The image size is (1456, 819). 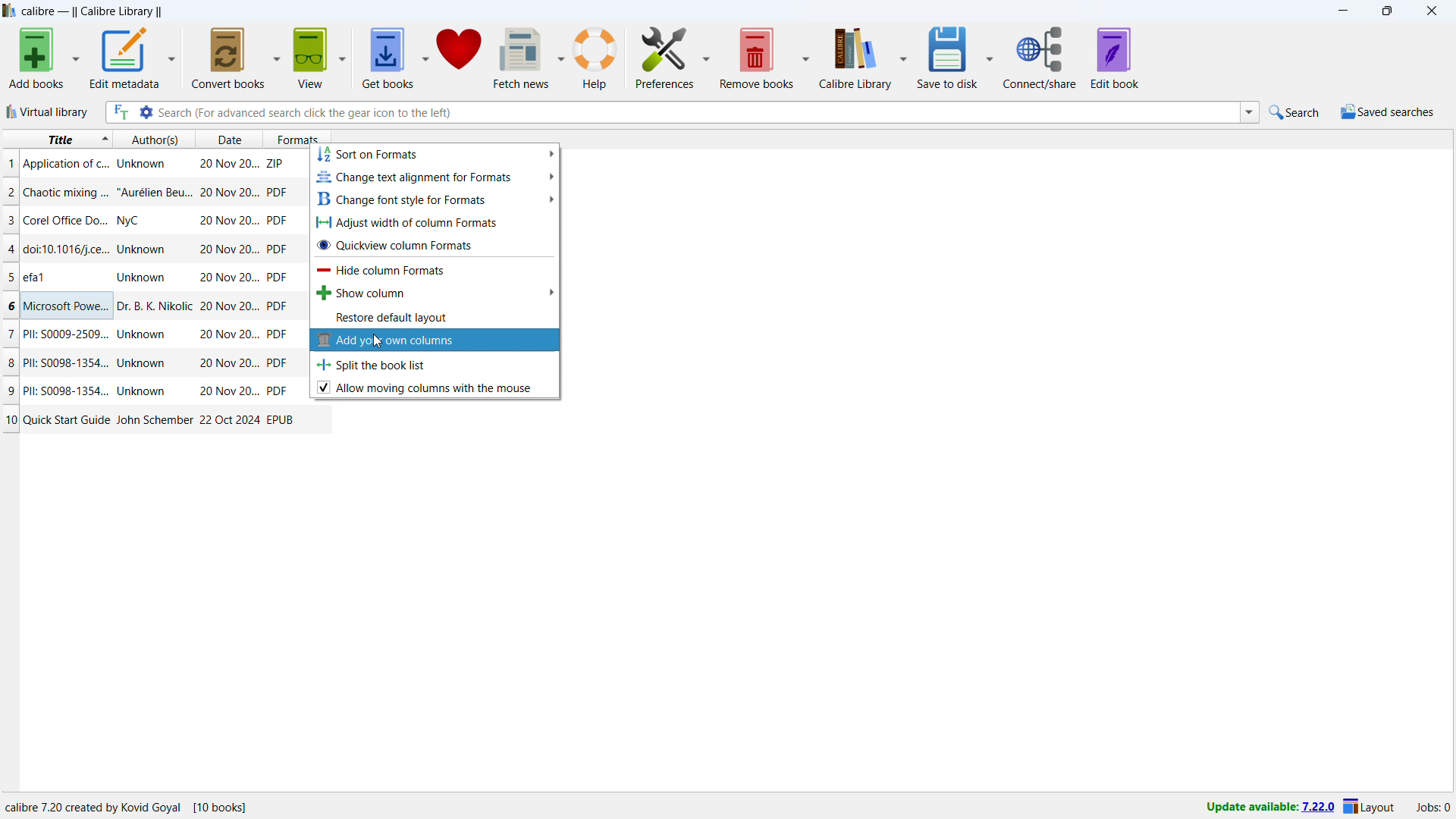 What do you see at coordinates (67, 334) in the screenshot?
I see `title` at bounding box center [67, 334].